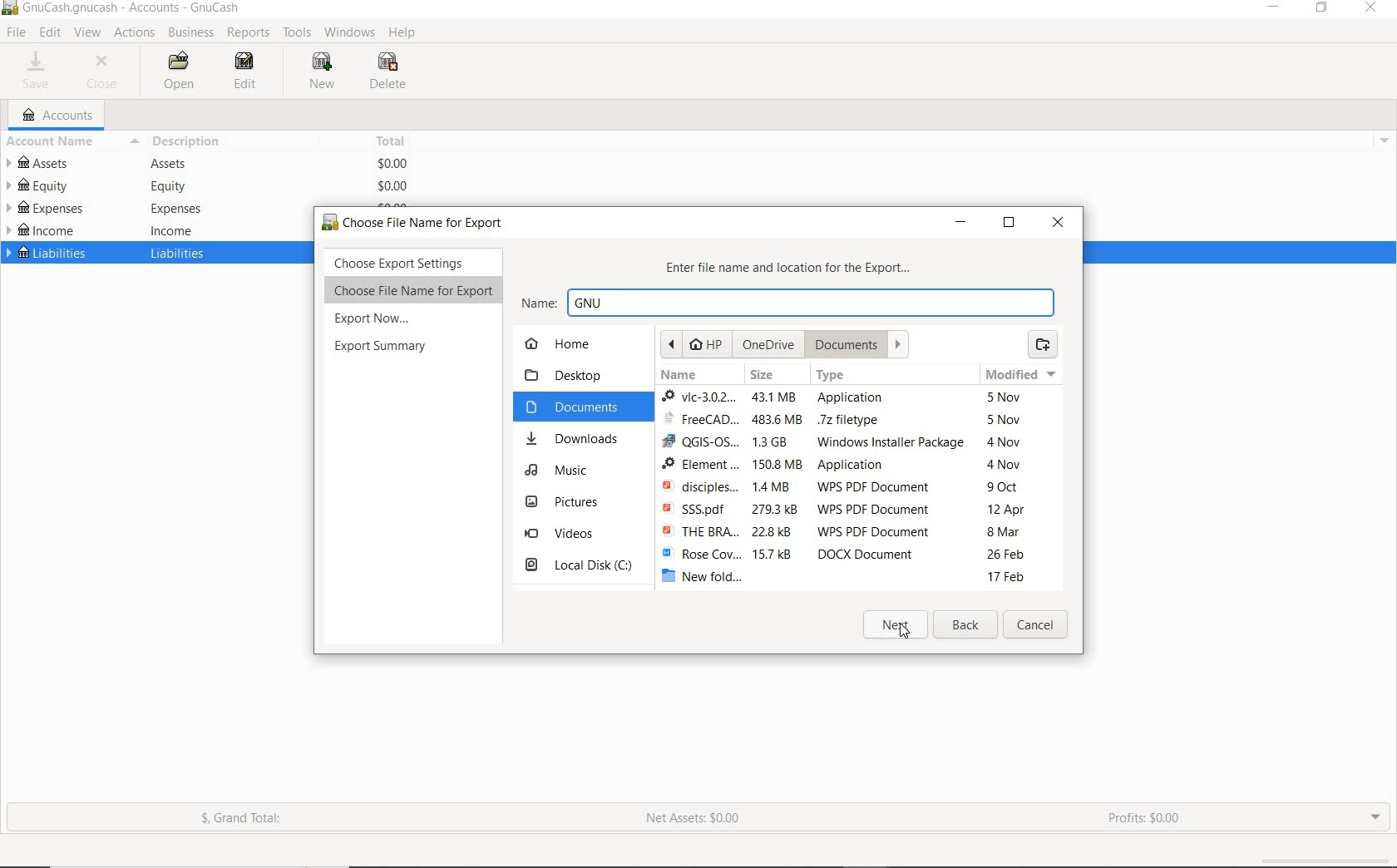 The height and width of the screenshot is (868, 1397). What do you see at coordinates (249, 33) in the screenshot?
I see `REPORTS` at bounding box center [249, 33].